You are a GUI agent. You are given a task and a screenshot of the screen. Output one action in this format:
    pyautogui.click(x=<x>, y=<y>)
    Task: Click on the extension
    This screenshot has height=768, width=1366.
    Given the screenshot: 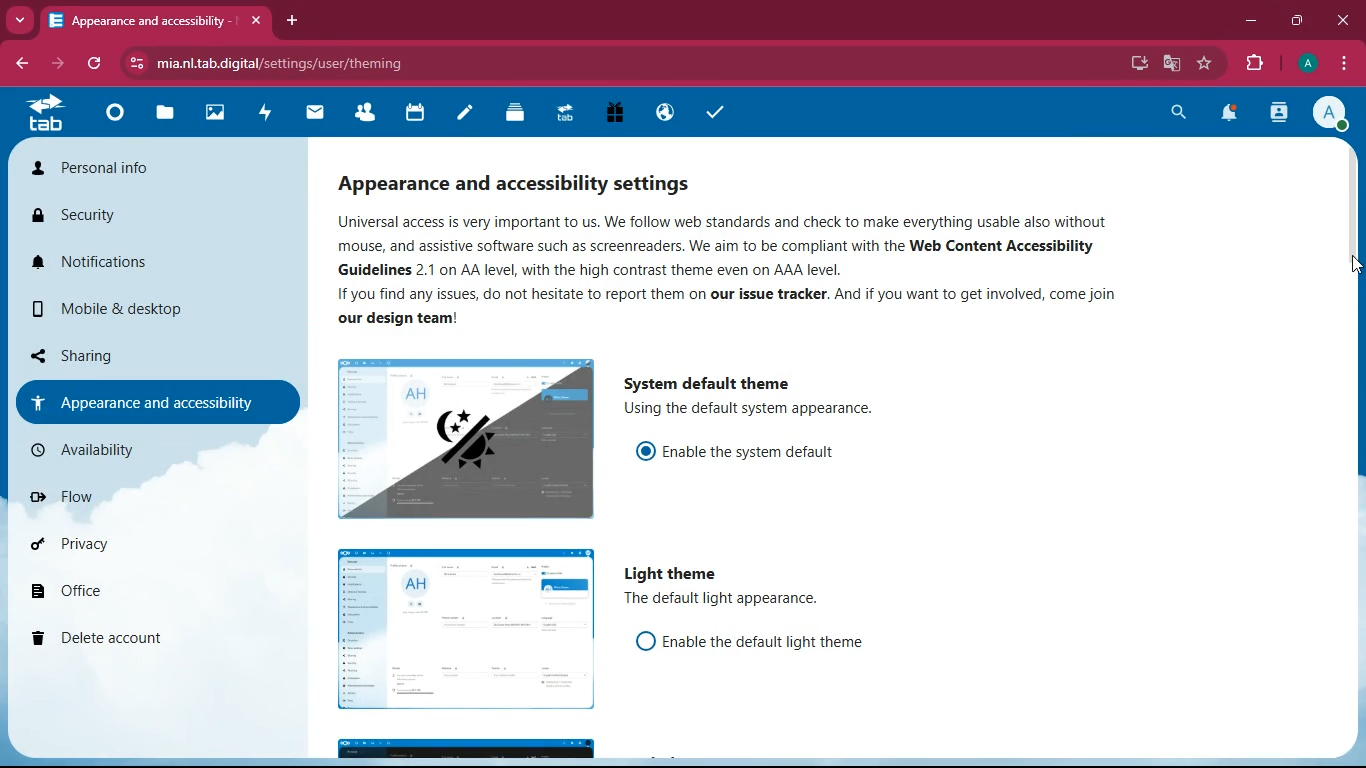 What is the action you would take?
    pyautogui.click(x=1257, y=64)
    